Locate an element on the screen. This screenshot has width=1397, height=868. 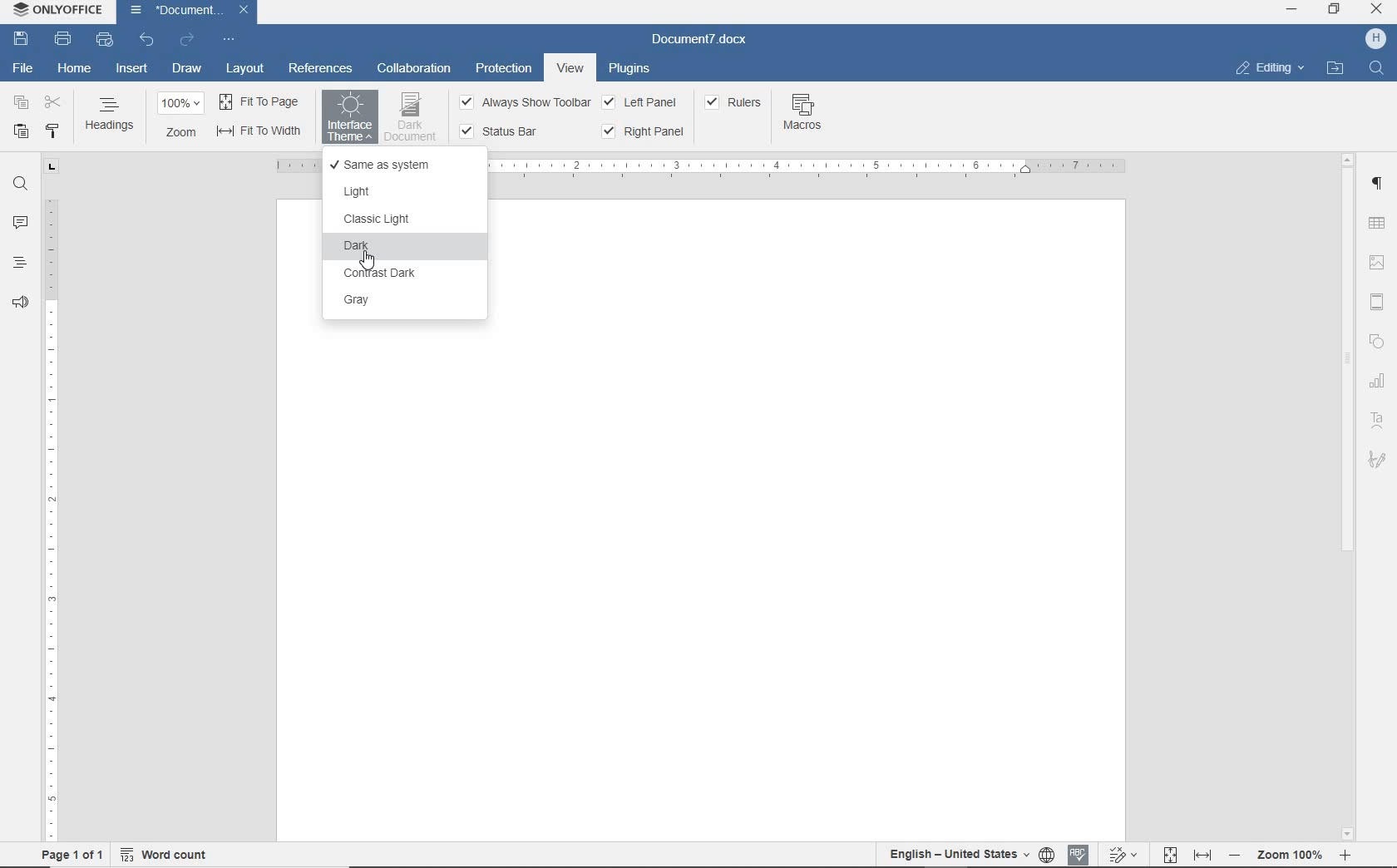
COPY is located at coordinates (21, 104).